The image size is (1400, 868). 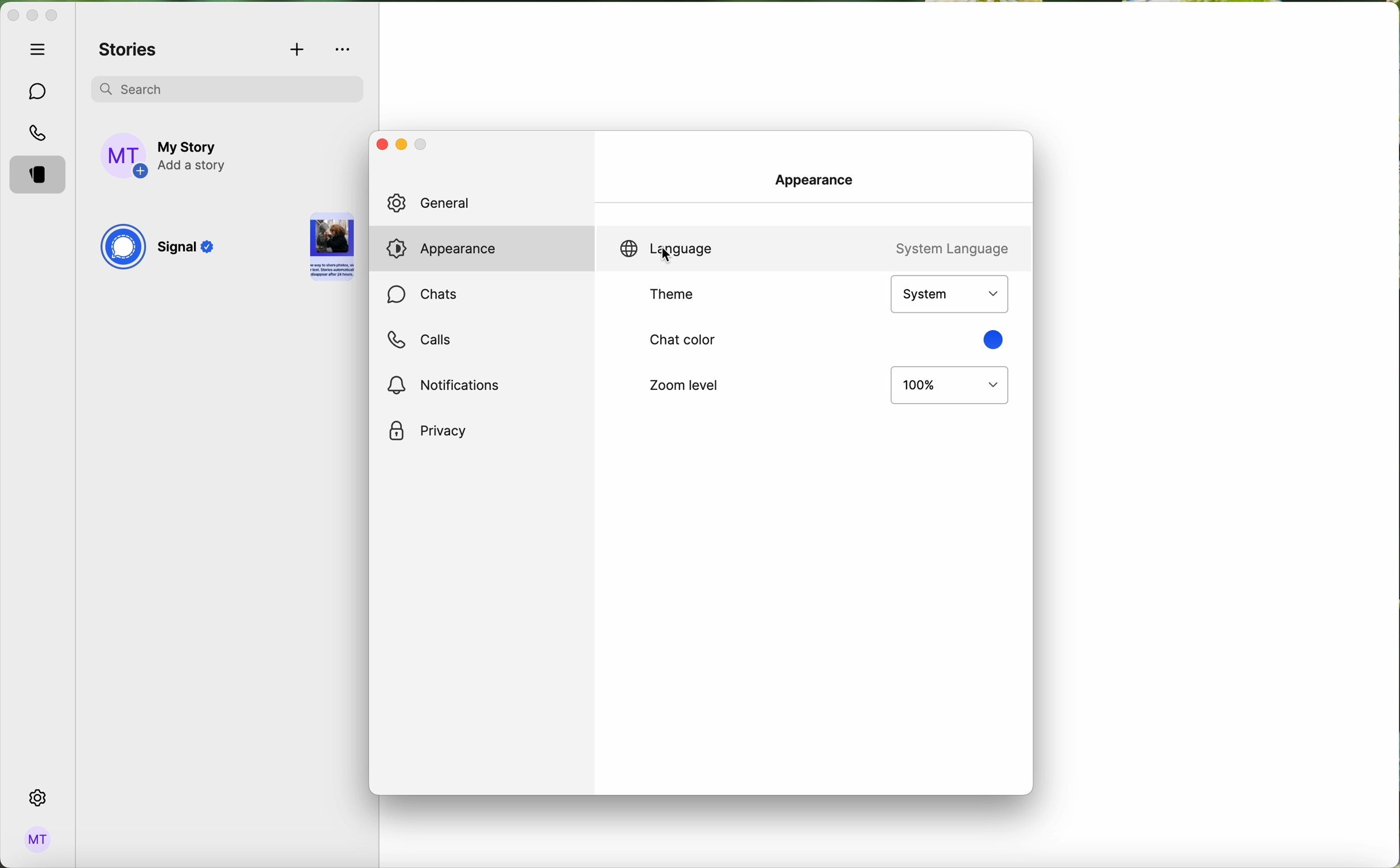 What do you see at coordinates (400, 146) in the screenshot?
I see `minimize` at bounding box center [400, 146].